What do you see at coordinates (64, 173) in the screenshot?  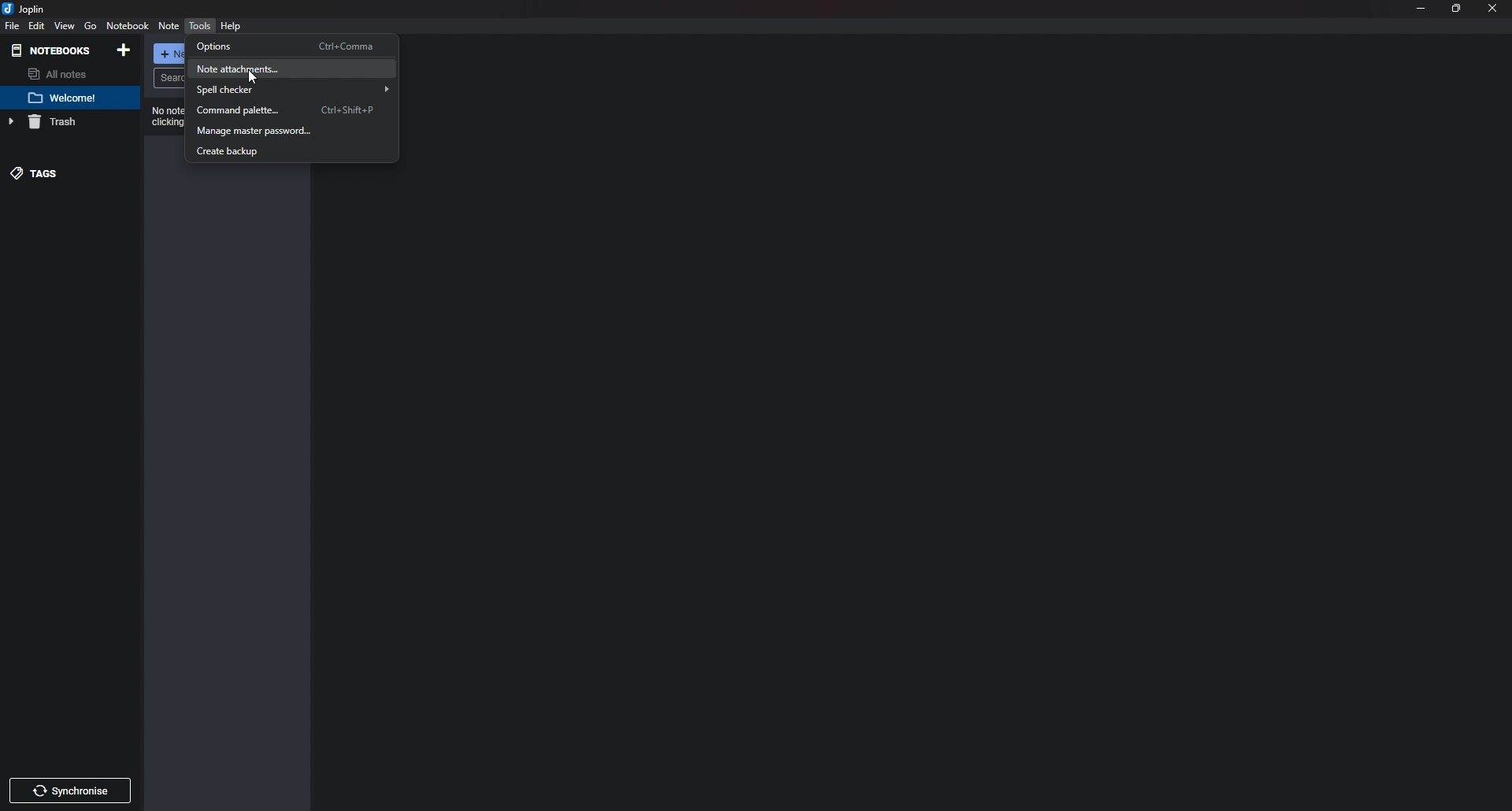 I see `tags` at bounding box center [64, 173].